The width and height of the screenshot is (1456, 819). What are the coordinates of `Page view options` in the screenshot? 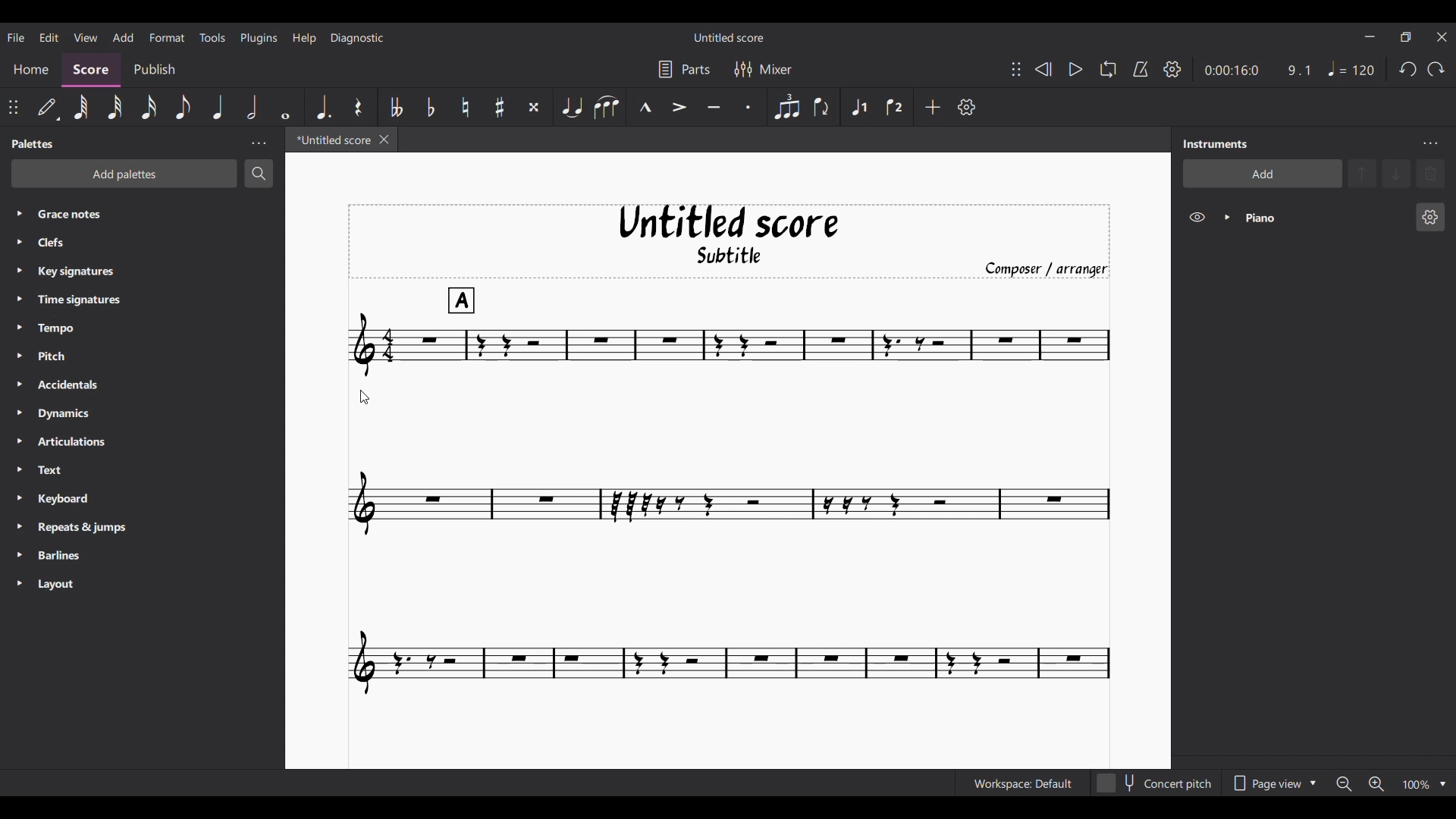 It's located at (1273, 783).